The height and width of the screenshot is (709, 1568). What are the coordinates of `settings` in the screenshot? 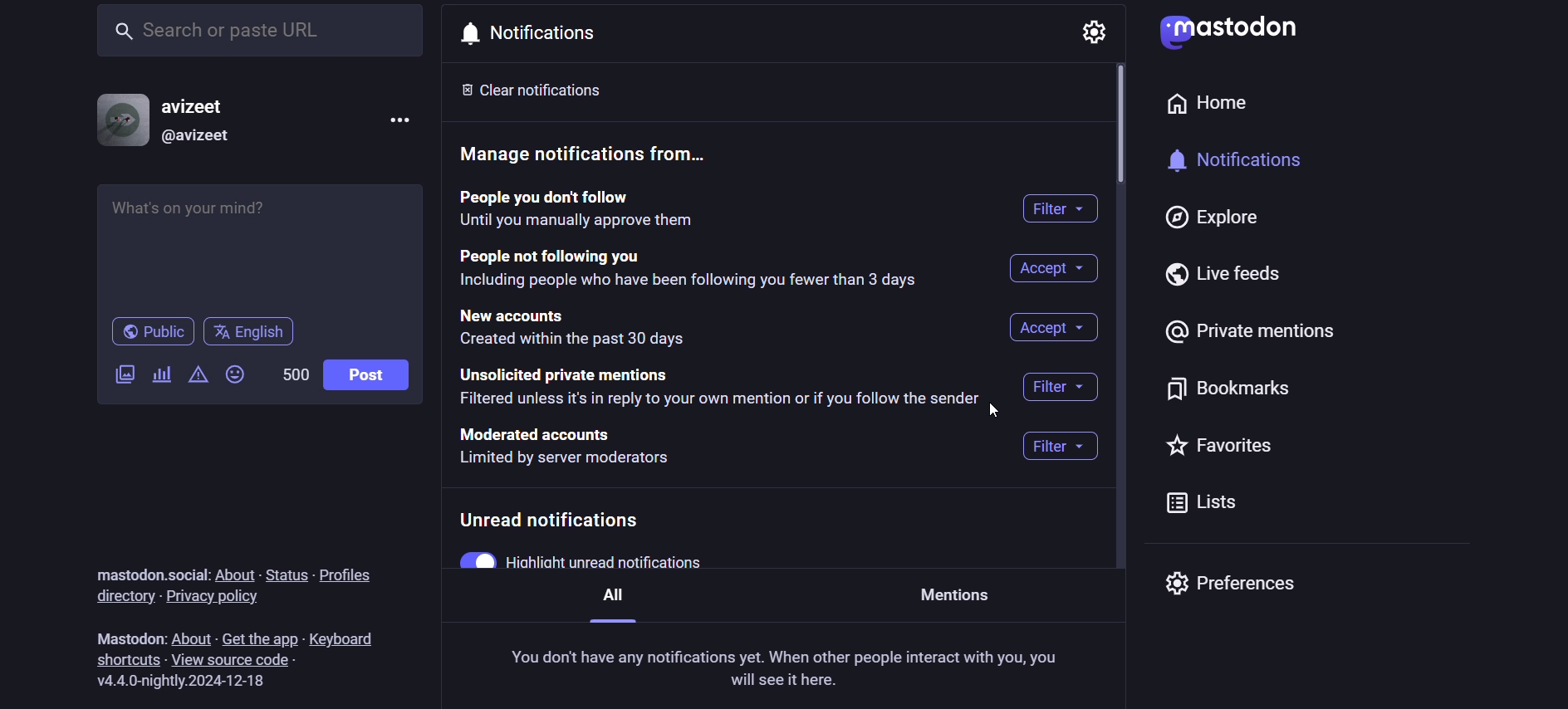 It's located at (1094, 32).